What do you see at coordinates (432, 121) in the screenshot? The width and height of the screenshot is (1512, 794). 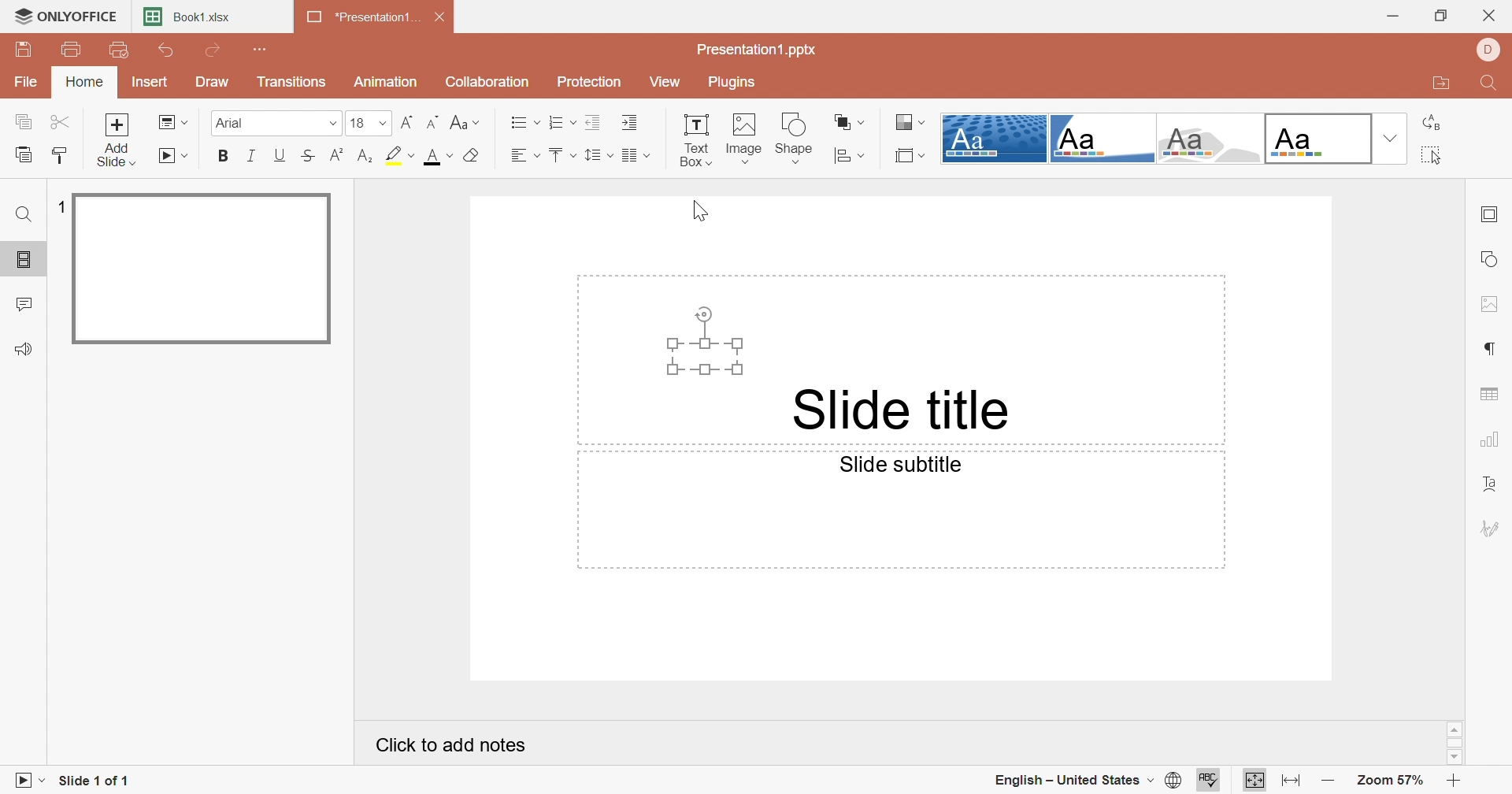 I see `Decrement font size` at bounding box center [432, 121].